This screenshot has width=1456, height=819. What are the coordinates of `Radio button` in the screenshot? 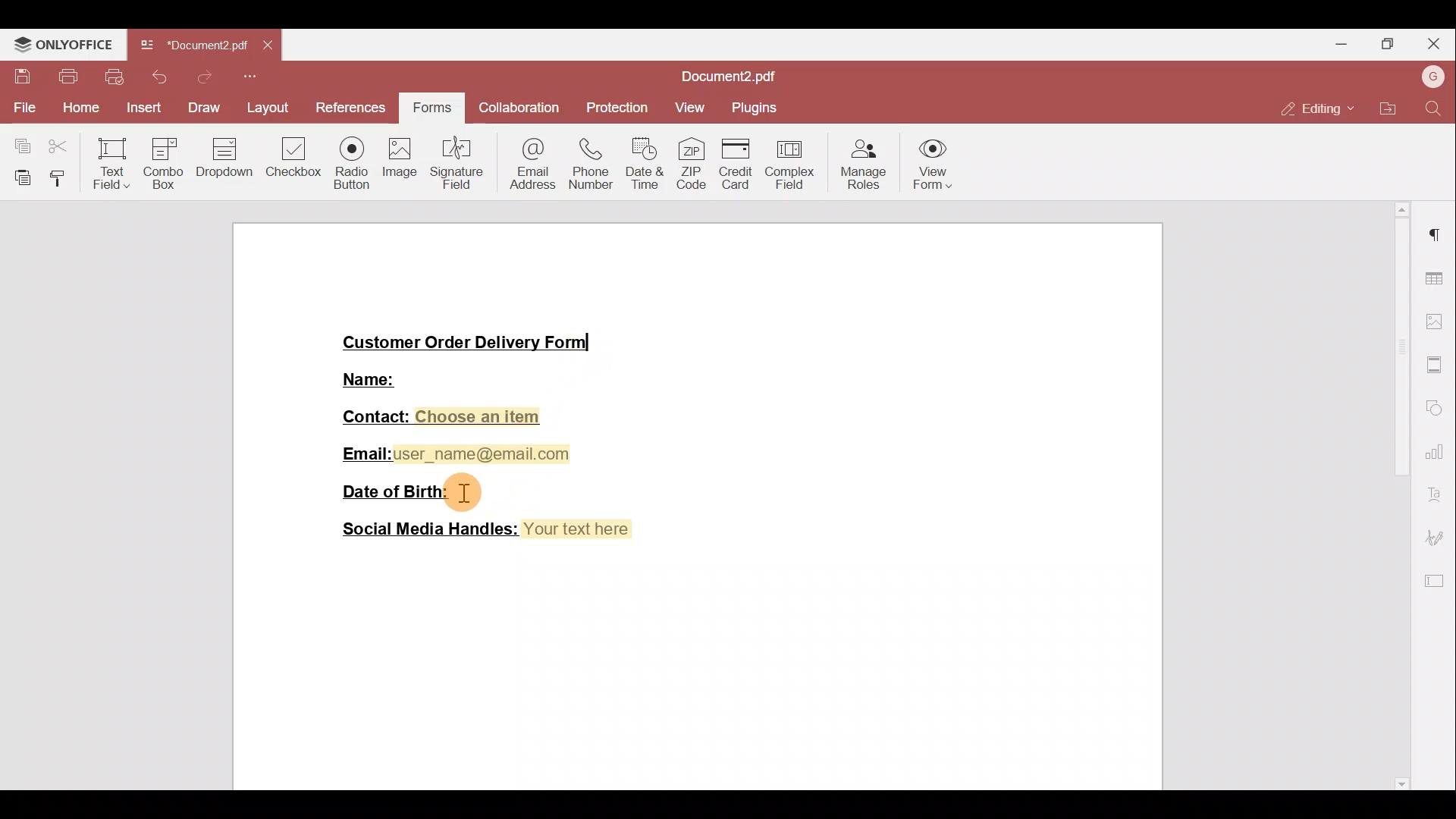 It's located at (351, 159).